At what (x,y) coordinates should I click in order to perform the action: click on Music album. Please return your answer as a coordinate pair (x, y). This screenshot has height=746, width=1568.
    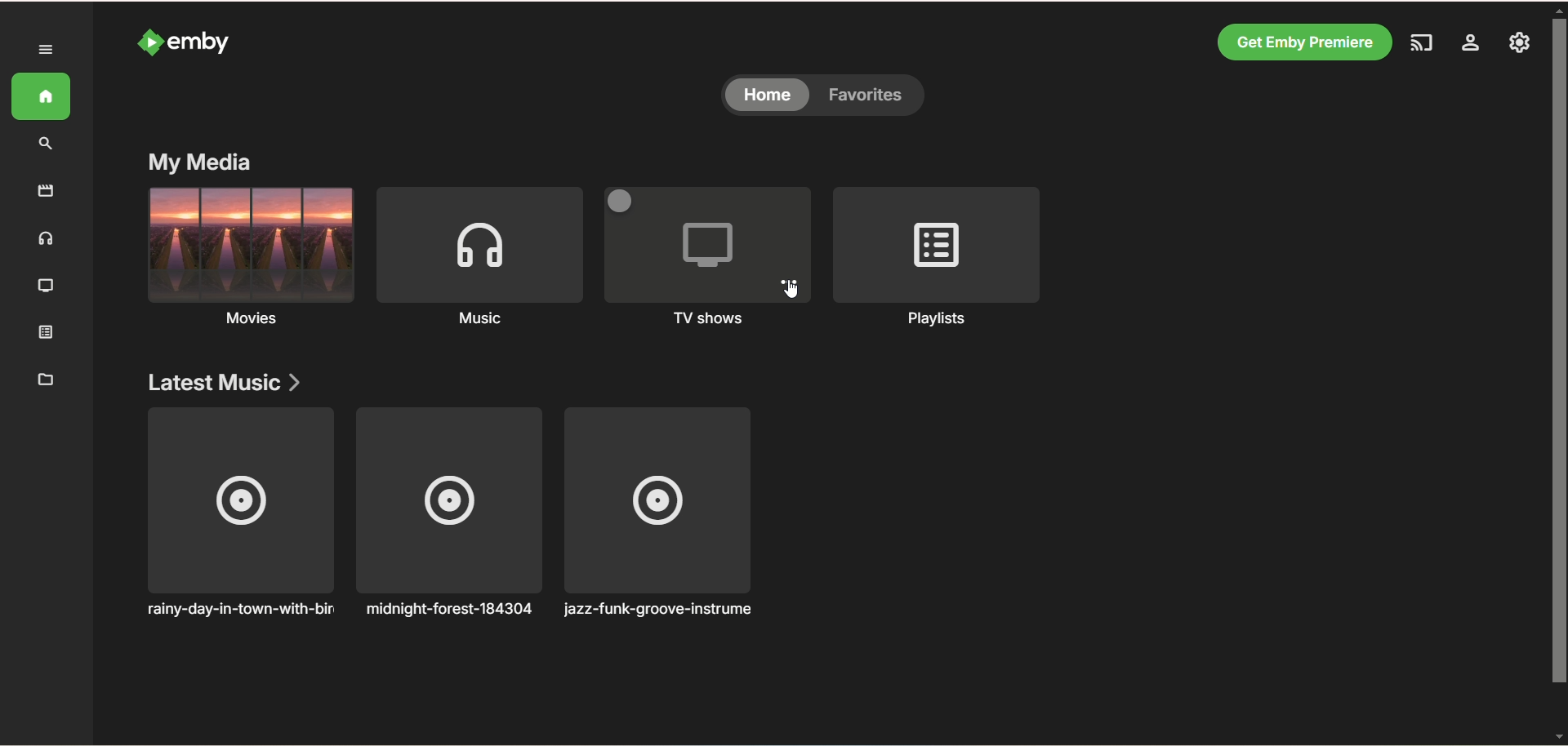
    Looking at the image, I should click on (238, 513).